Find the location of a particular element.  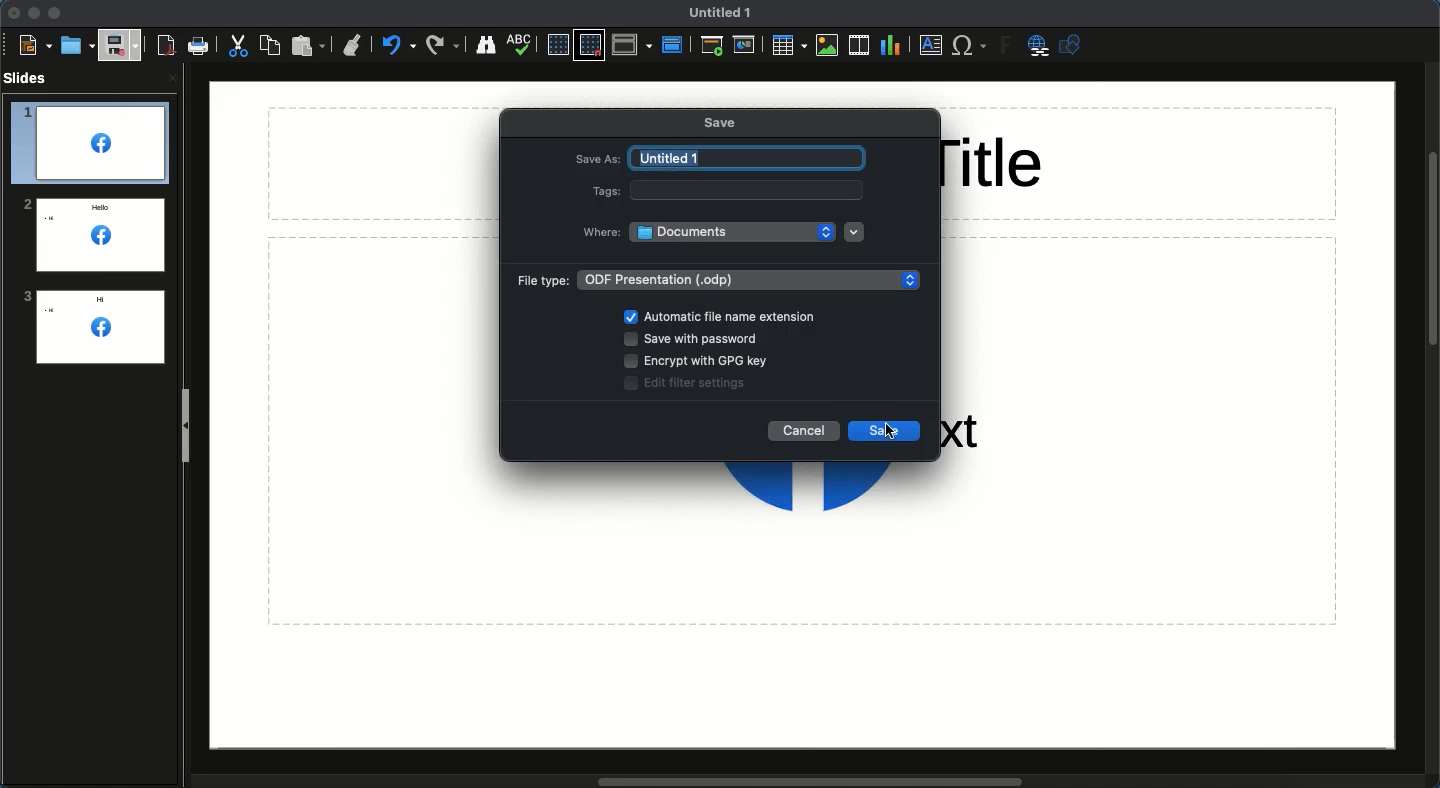

Name is located at coordinates (716, 12).